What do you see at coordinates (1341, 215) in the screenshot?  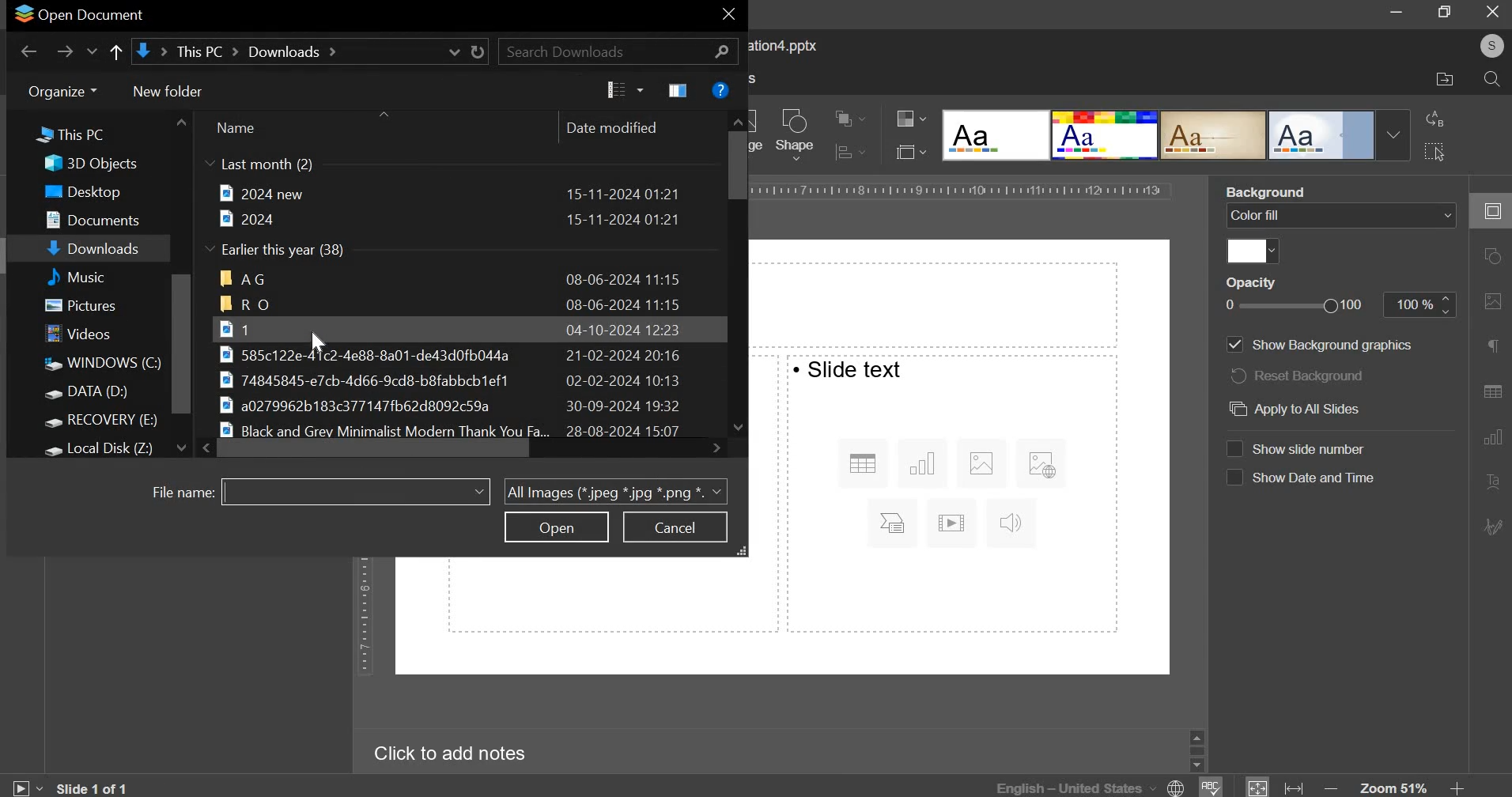 I see `background fill` at bounding box center [1341, 215].